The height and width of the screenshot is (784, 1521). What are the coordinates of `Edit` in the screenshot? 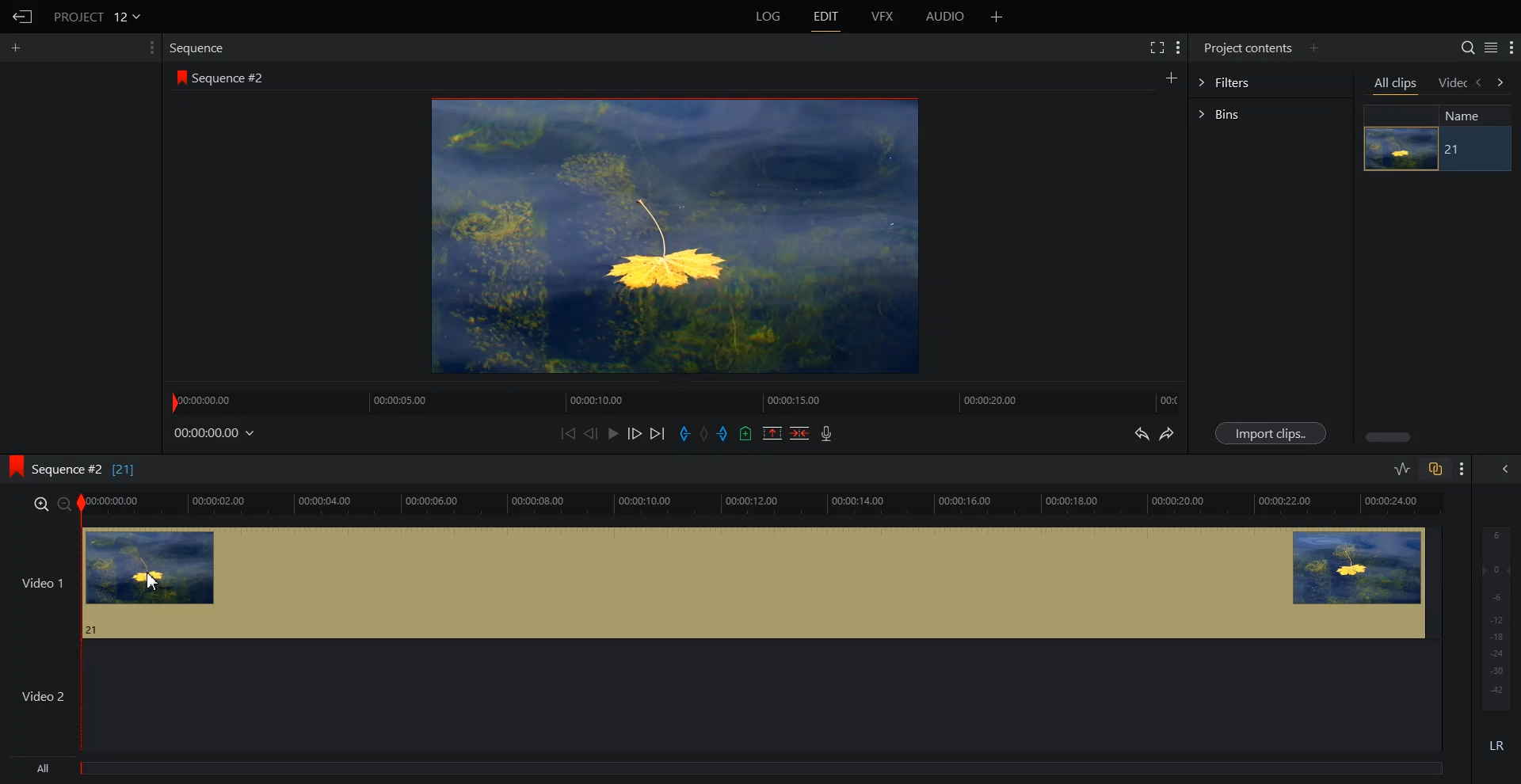 It's located at (825, 17).